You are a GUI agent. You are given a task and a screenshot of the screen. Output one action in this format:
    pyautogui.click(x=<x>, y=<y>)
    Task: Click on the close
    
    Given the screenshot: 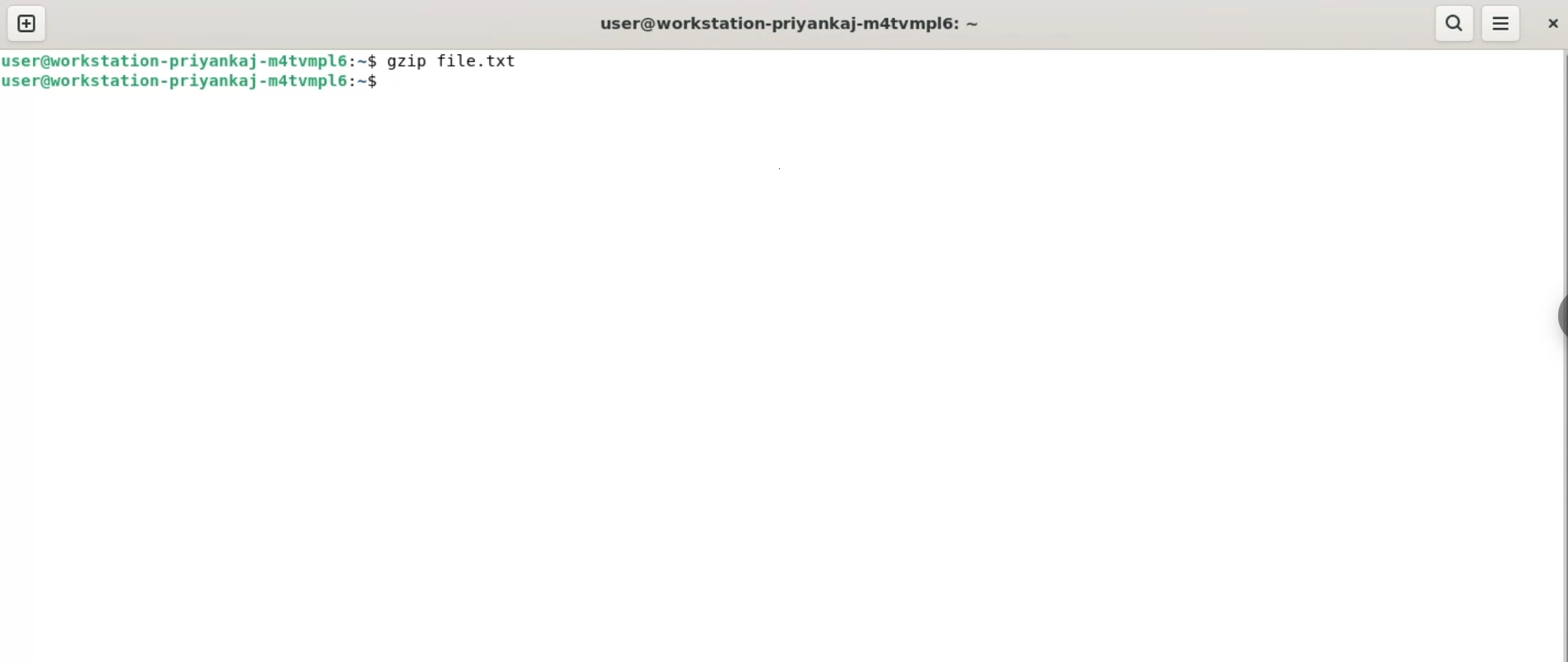 What is the action you would take?
    pyautogui.click(x=1554, y=24)
    